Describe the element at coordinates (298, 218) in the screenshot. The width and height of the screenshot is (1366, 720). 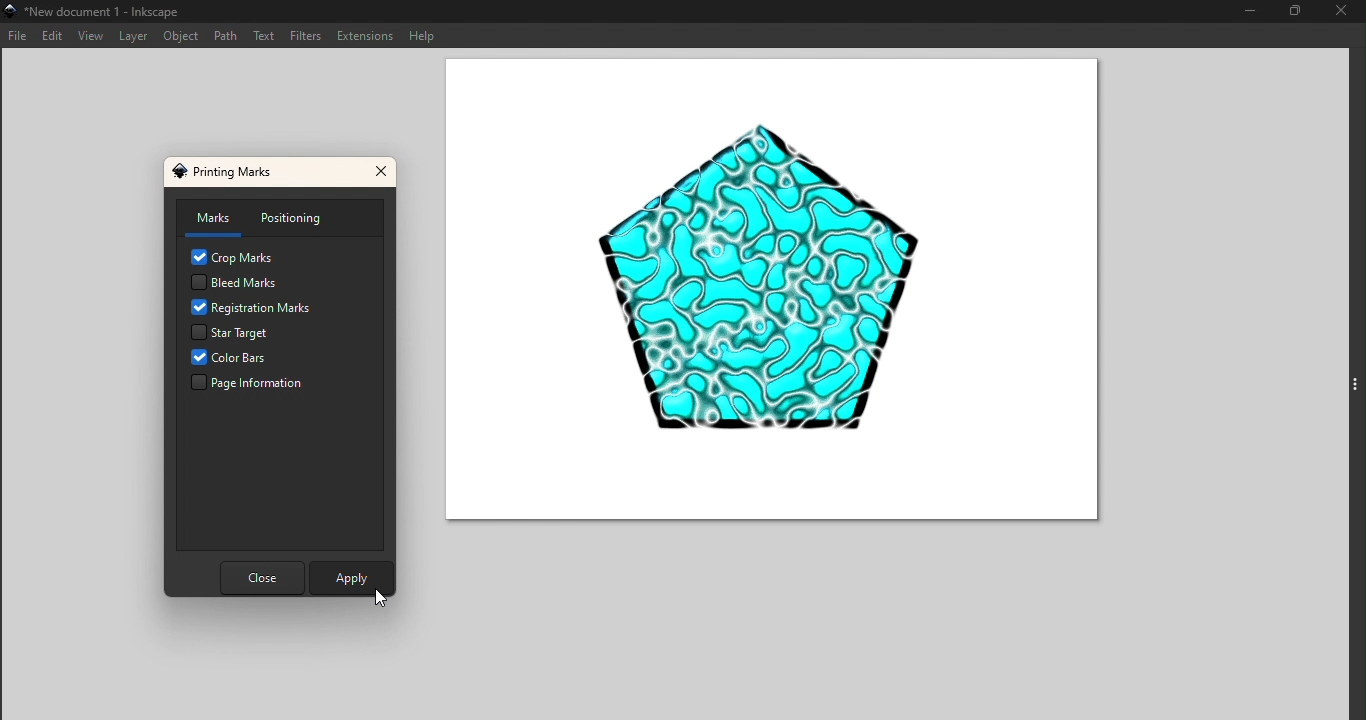
I see `Positioning` at that location.